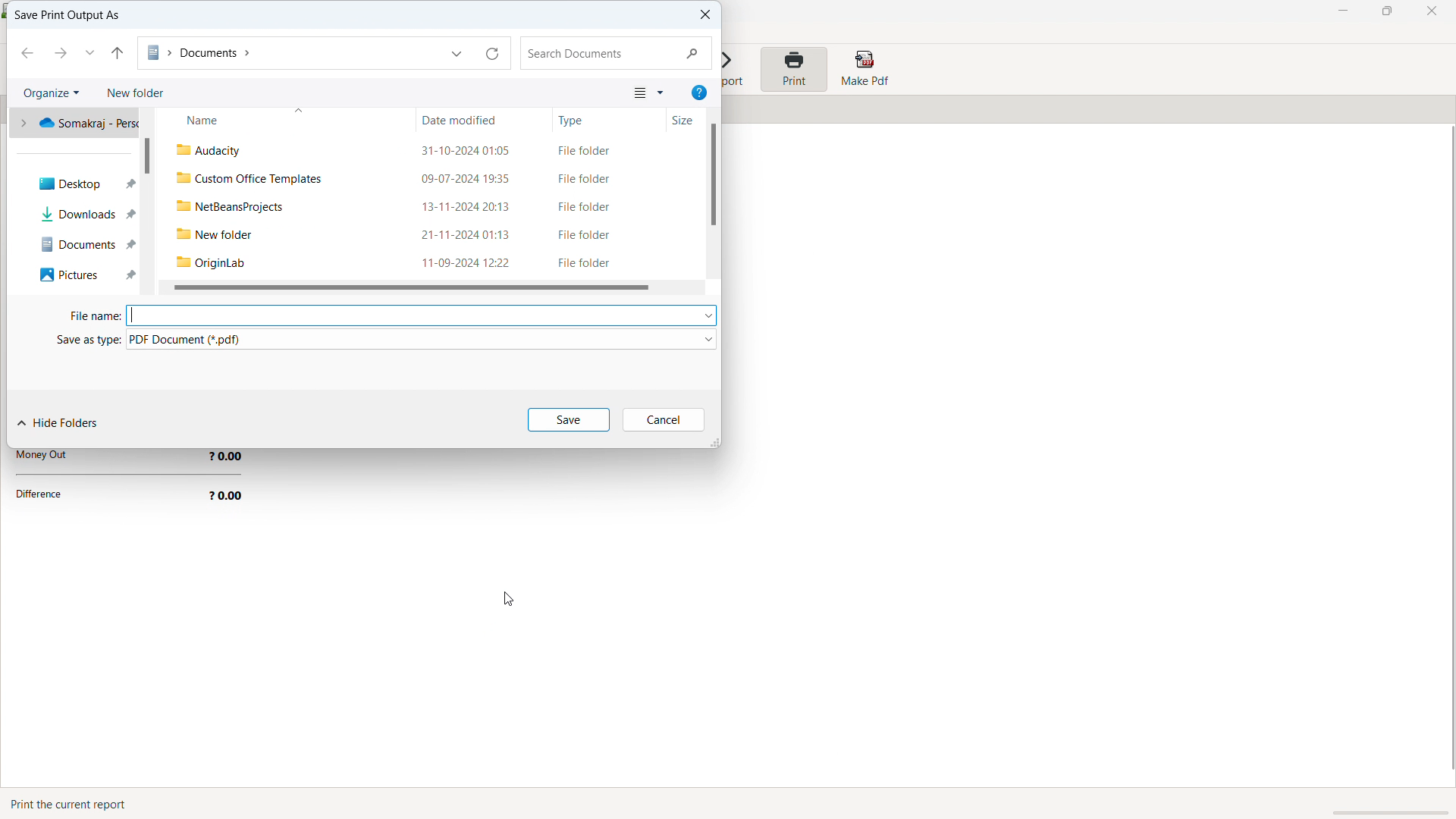 Image resolution: width=1456 pixels, height=819 pixels. I want to click on 3 New folder 21-11-2024 01:13 File folder, so click(422, 231).